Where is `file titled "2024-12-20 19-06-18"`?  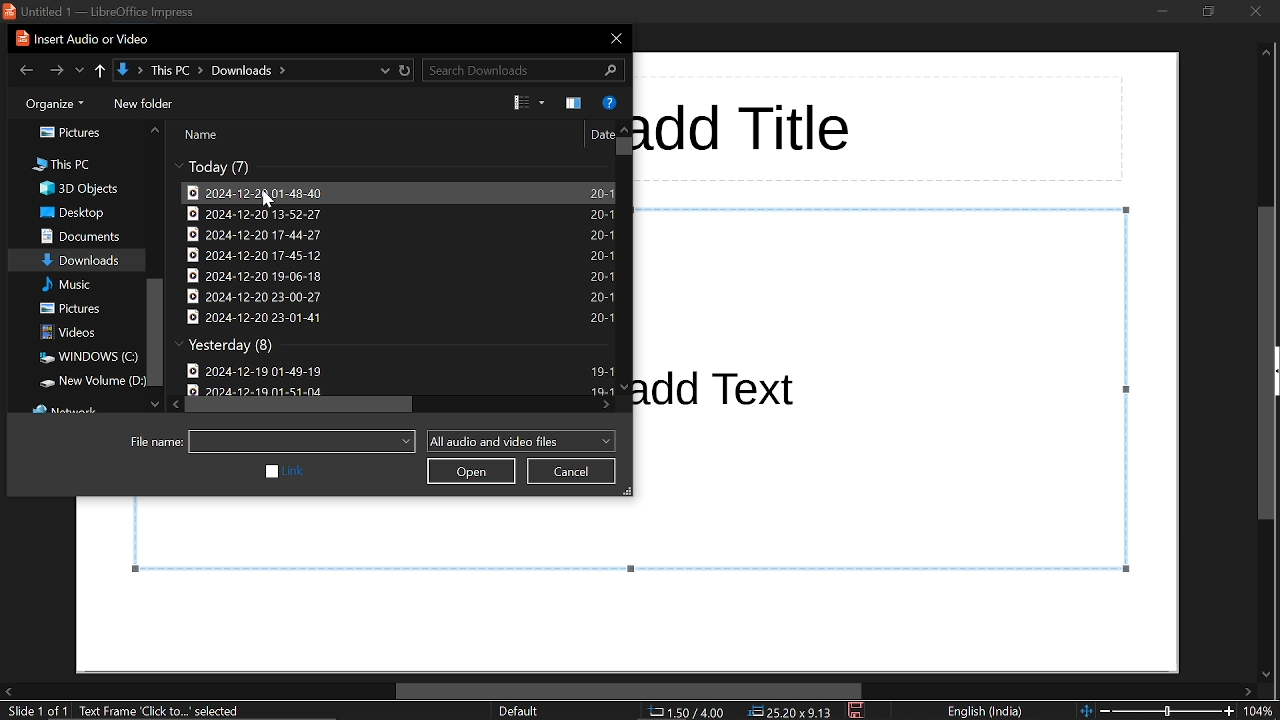 file titled "2024-12-20 19-06-18" is located at coordinates (398, 277).